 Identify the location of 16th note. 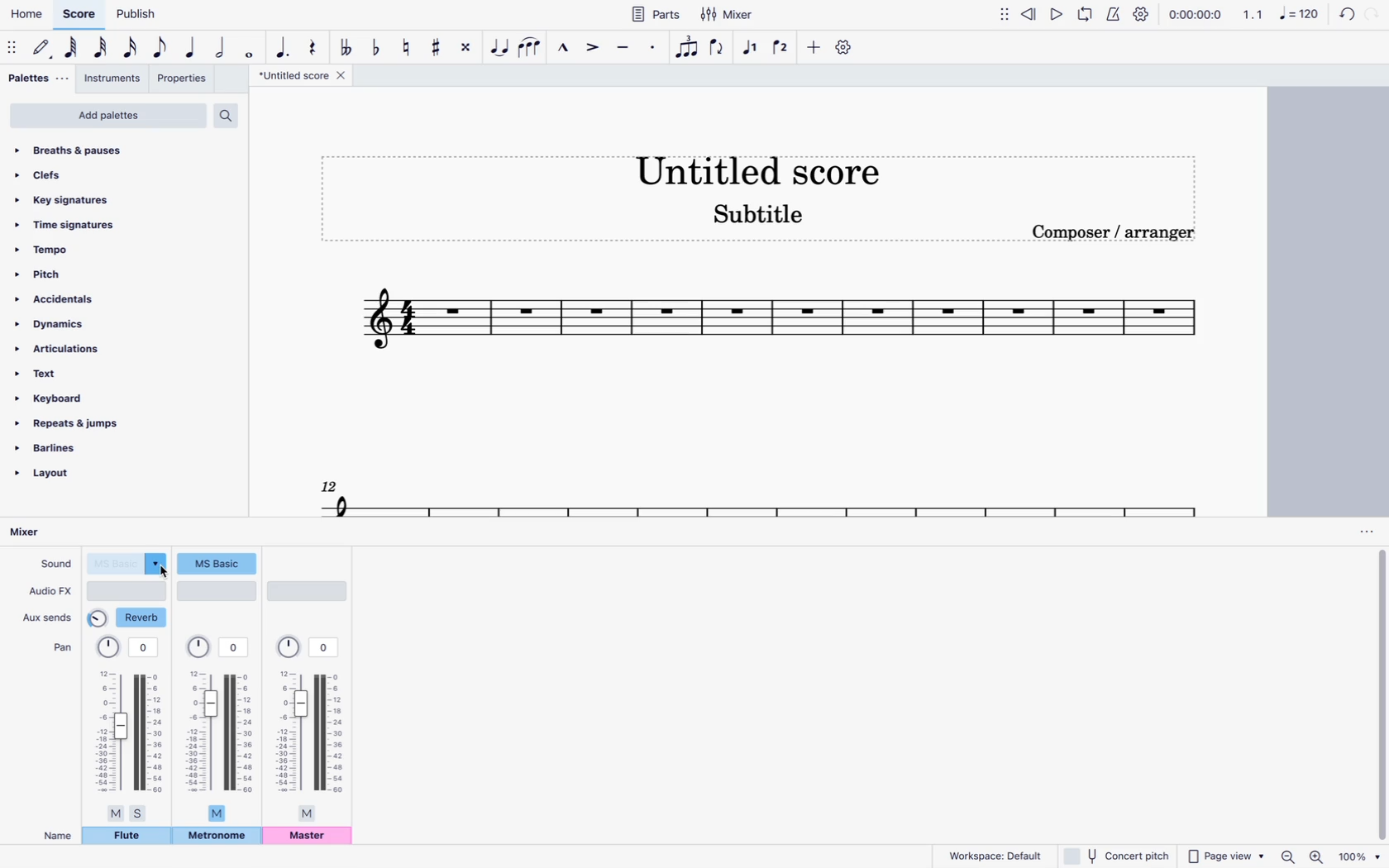
(131, 50).